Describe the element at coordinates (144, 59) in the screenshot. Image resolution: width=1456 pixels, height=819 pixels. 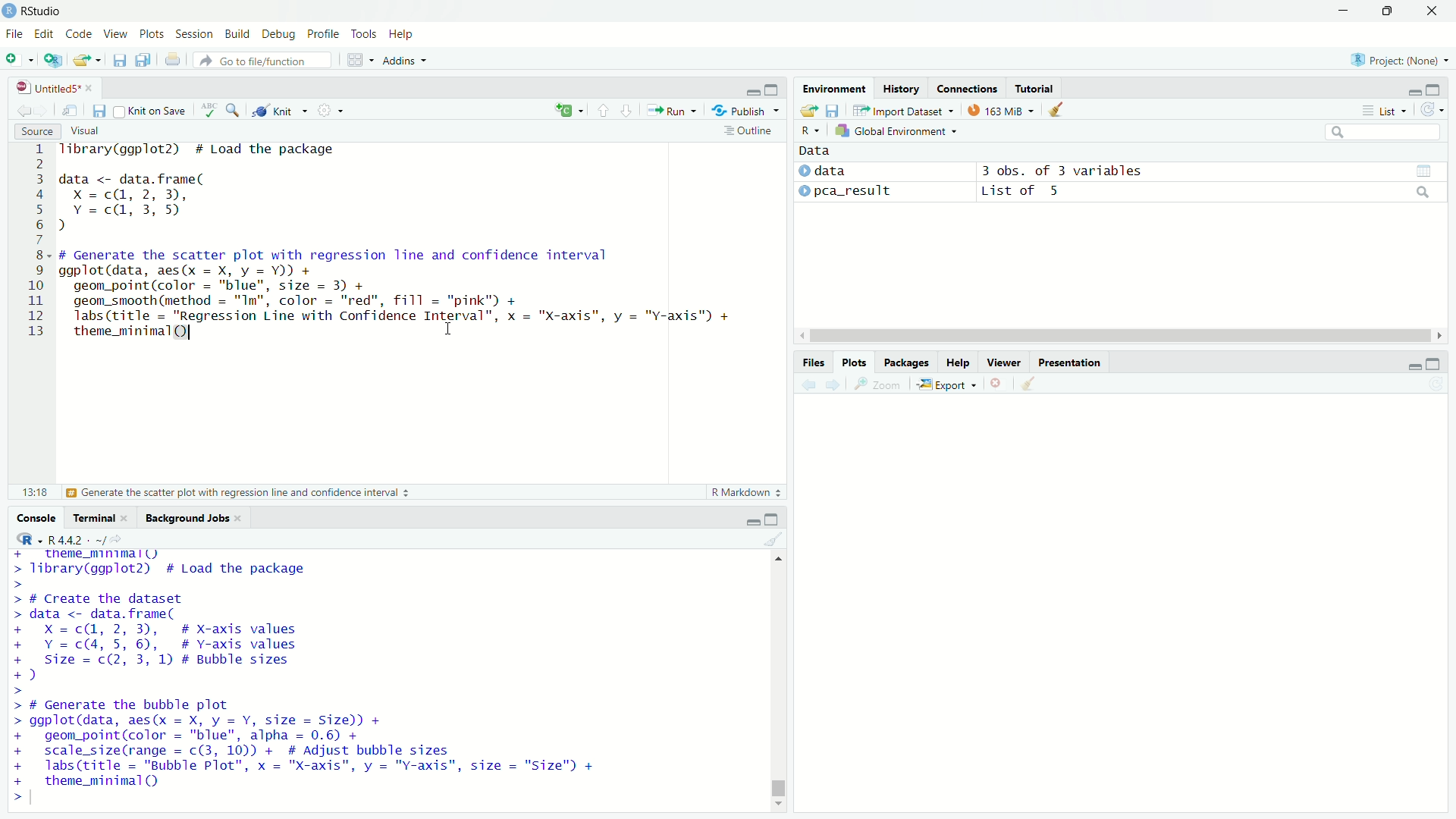
I see `Save all open documents` at that location.